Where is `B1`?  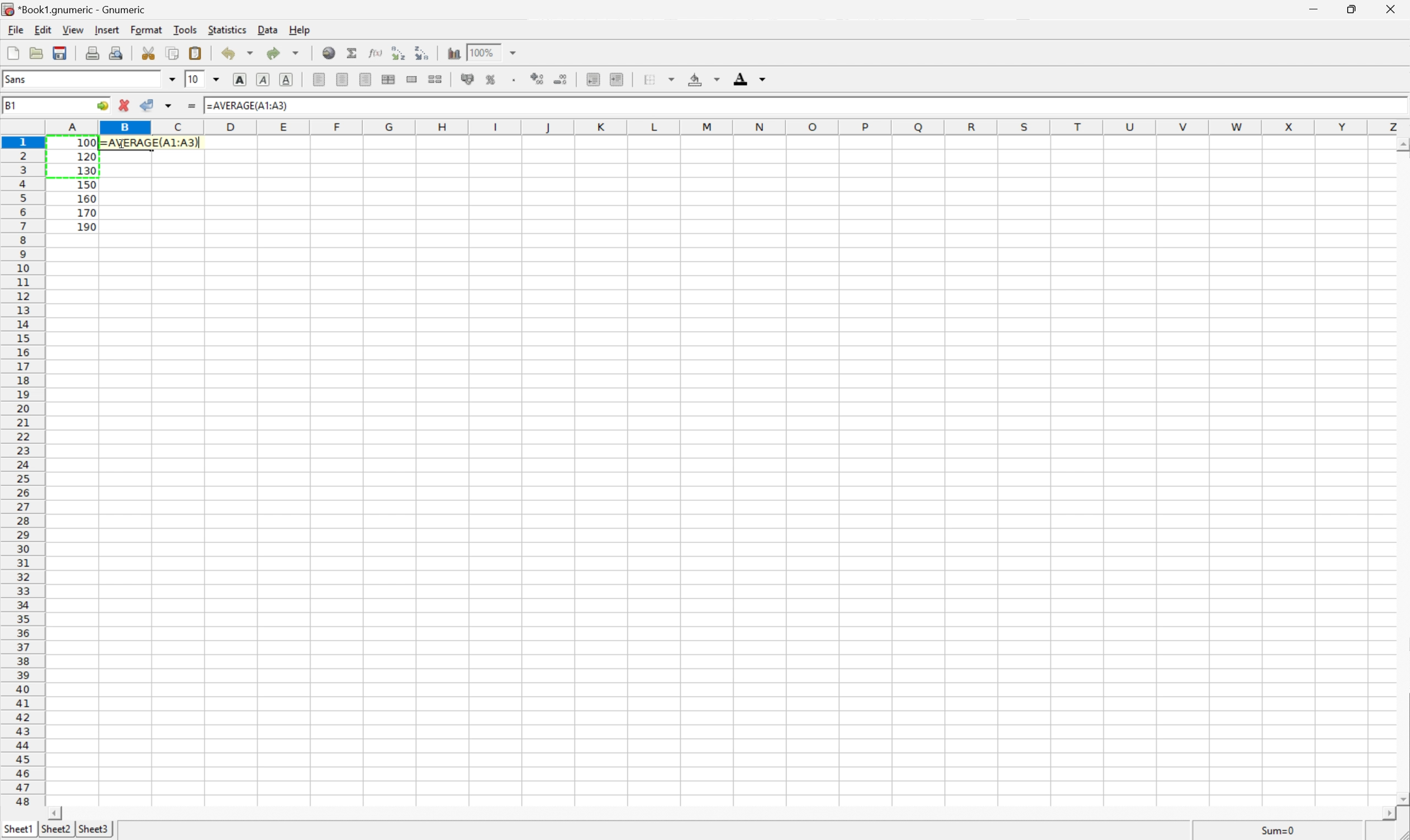
B1 is located at coordinates (11, 104).